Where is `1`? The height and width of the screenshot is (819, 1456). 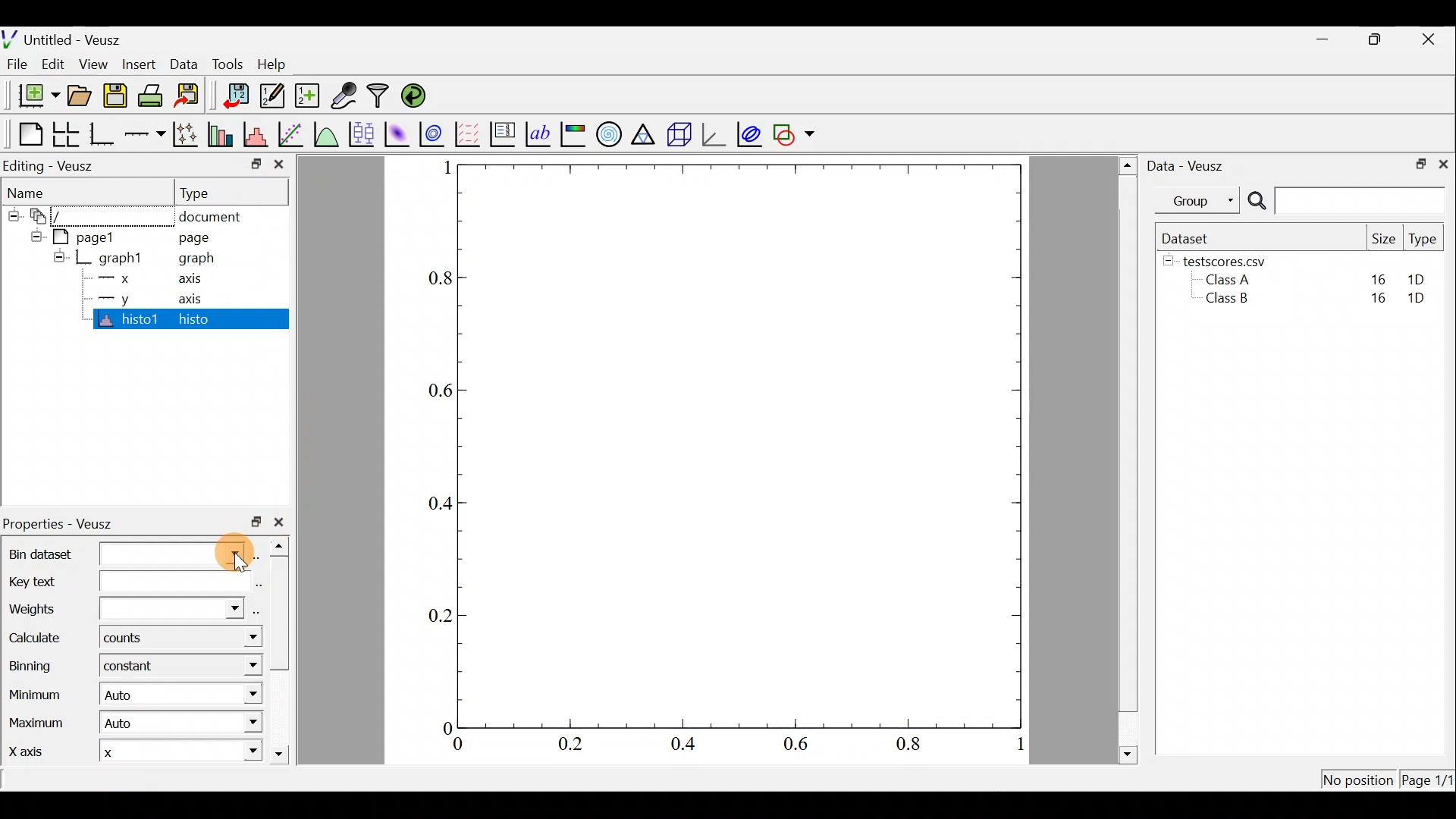 1 is located at coordinates (441, 170).